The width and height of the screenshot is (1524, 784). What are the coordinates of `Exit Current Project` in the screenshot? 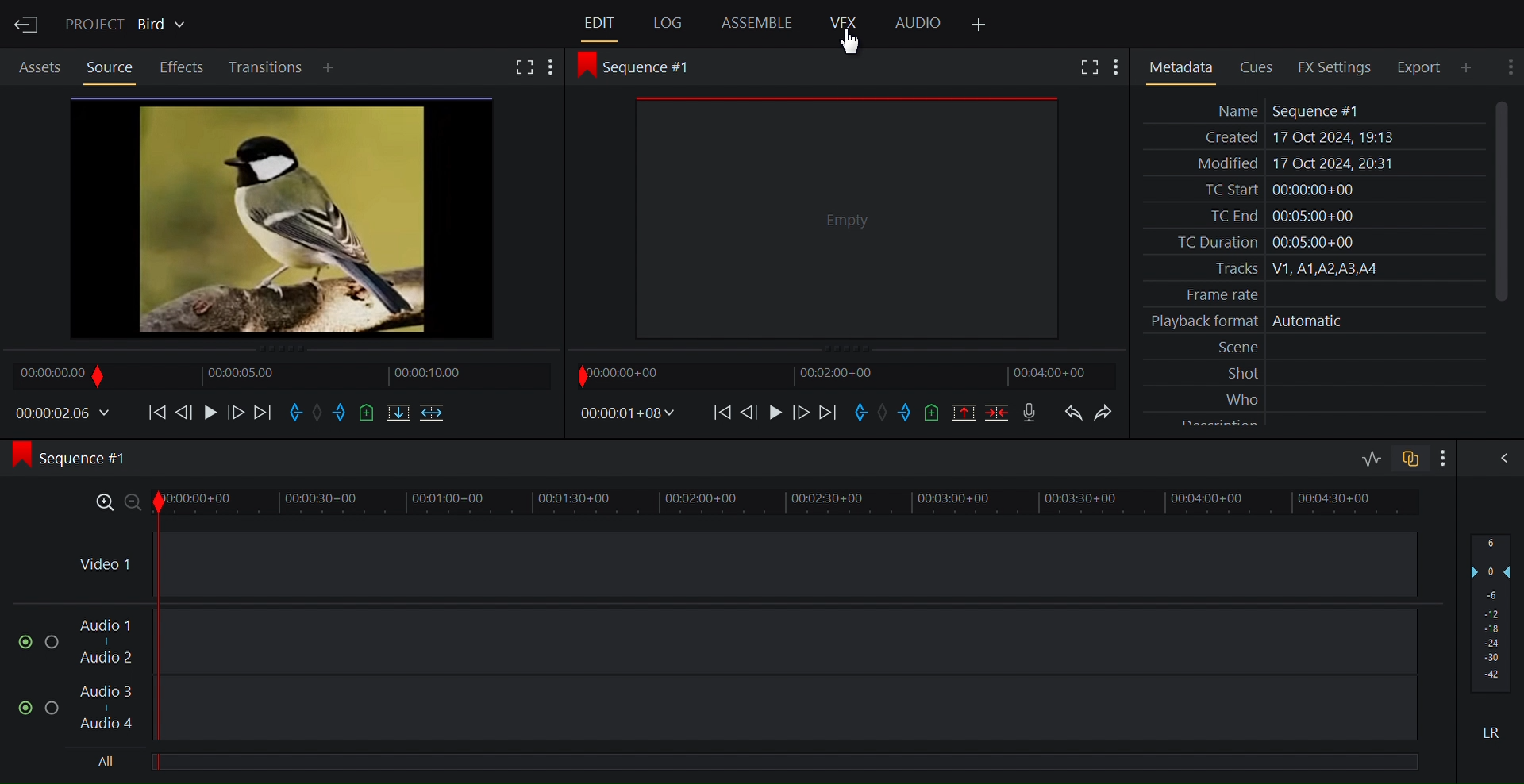 It's located at (28, 22).